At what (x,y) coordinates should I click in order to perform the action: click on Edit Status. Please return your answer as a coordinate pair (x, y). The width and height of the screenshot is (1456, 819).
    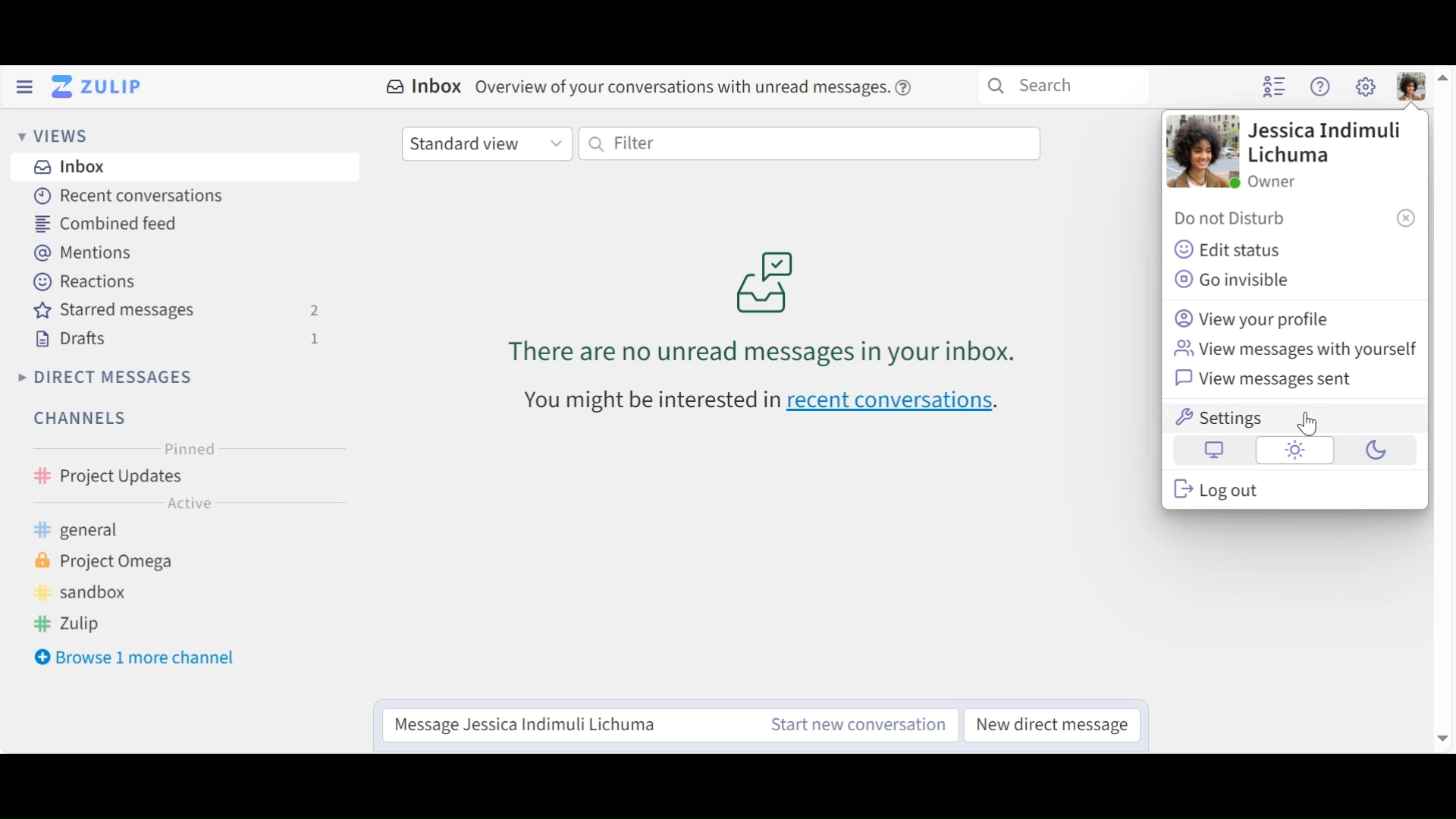
    Looking at the image, I should click on (1228, 252).